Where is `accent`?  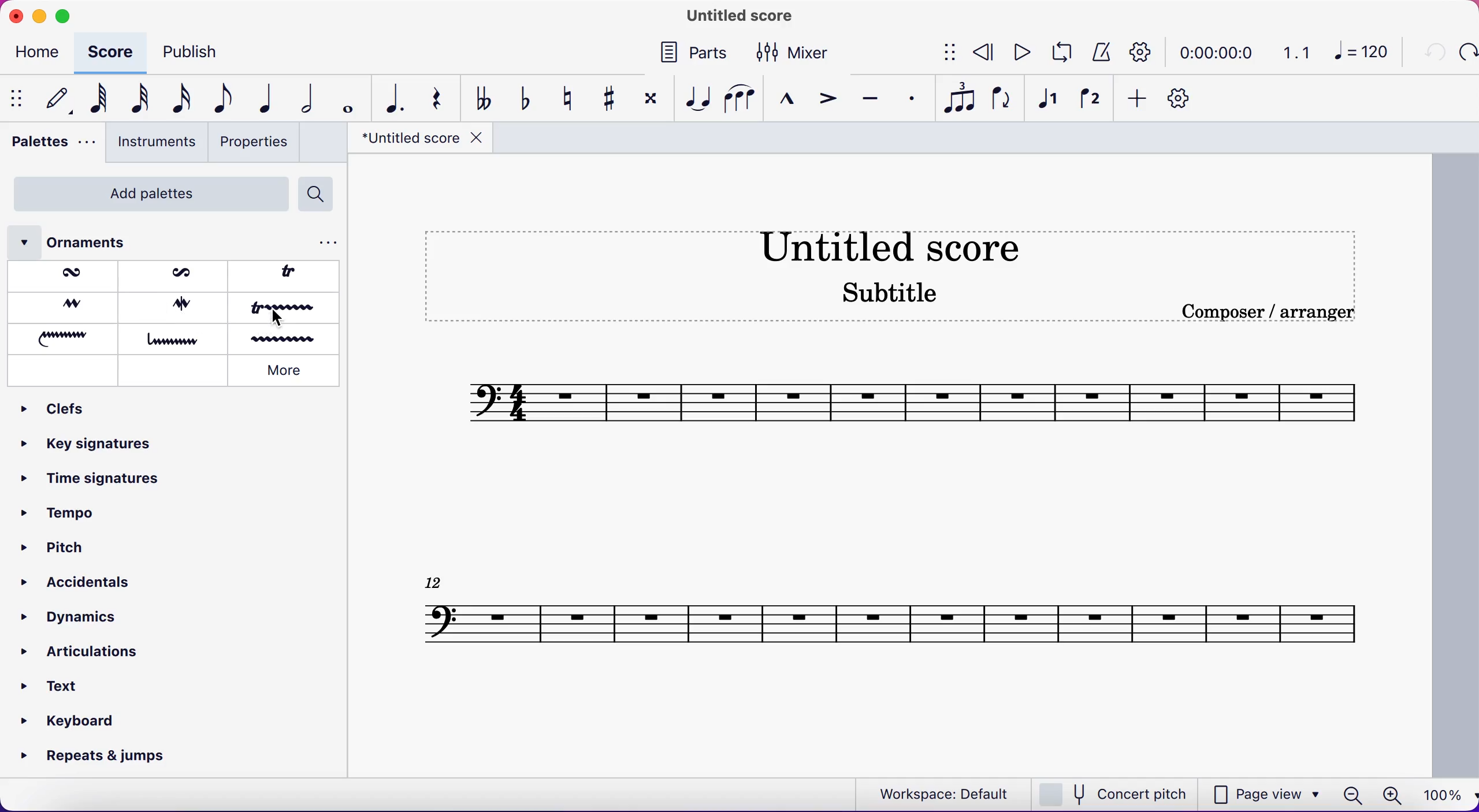 accent is located at coordinates (827, 98).